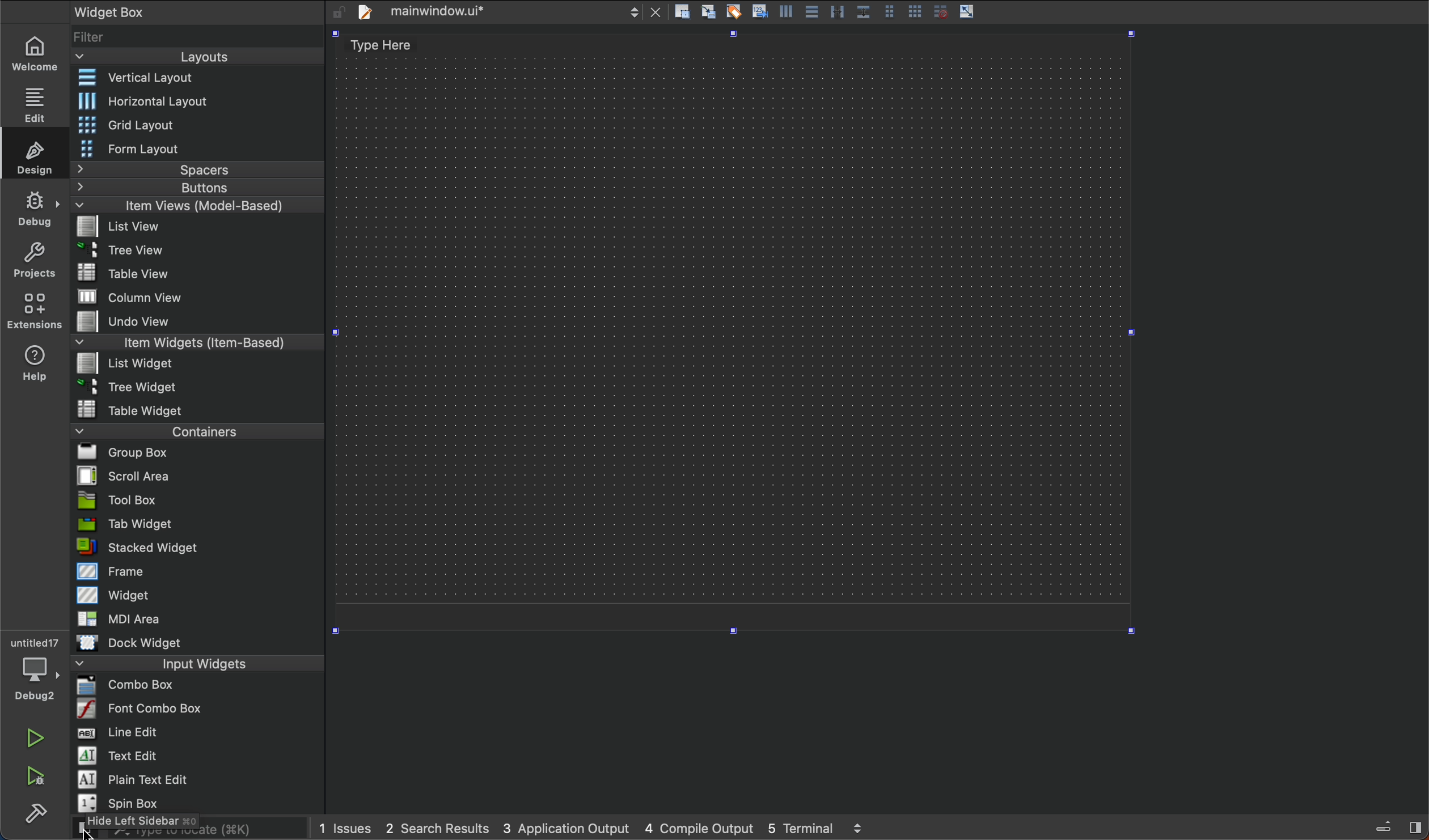 The width and height of the screenshot is (1429, 840). I want to click on 5 Terminal, so click(800, 826).